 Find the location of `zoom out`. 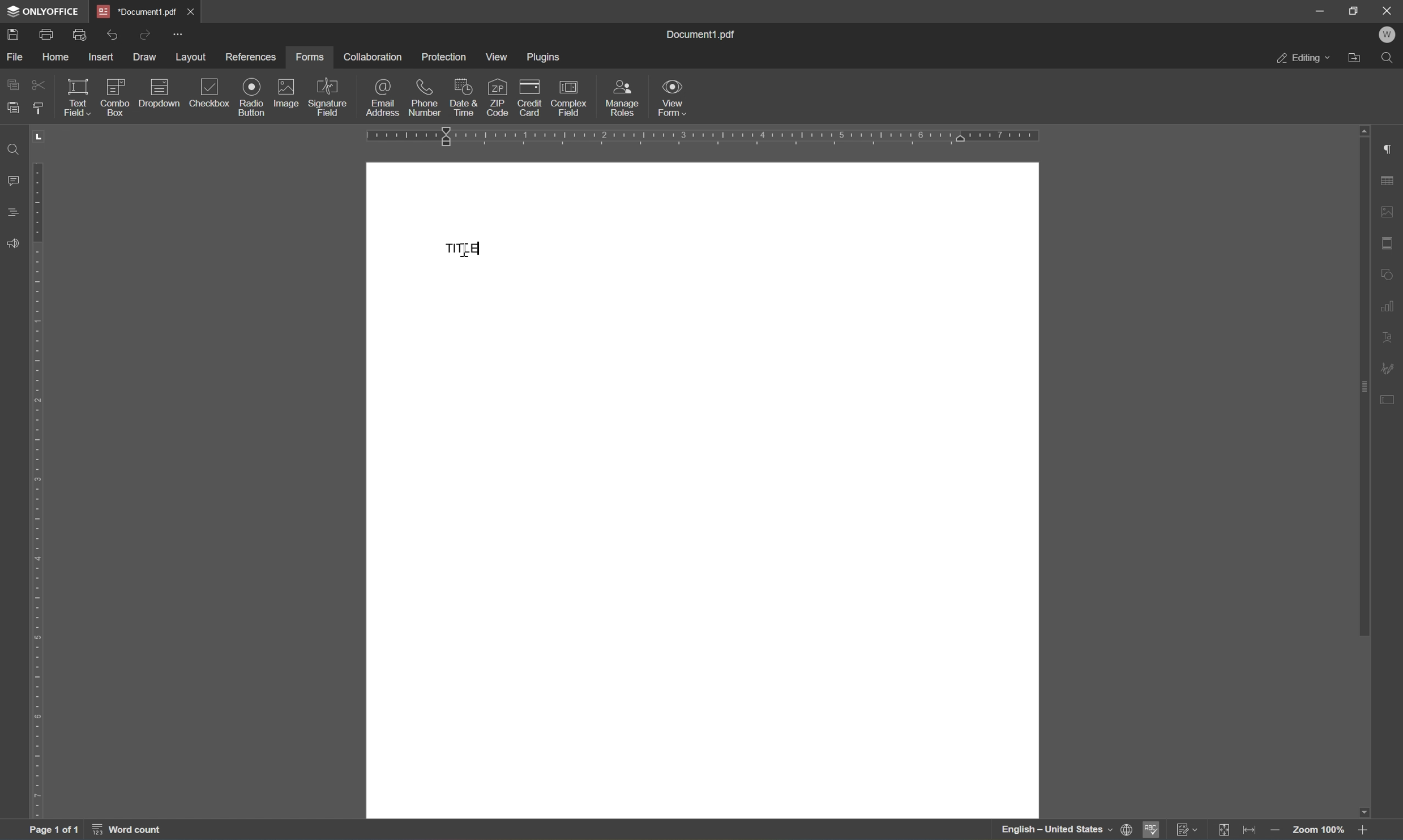

zoom out is located at coordinates (1274, 830).